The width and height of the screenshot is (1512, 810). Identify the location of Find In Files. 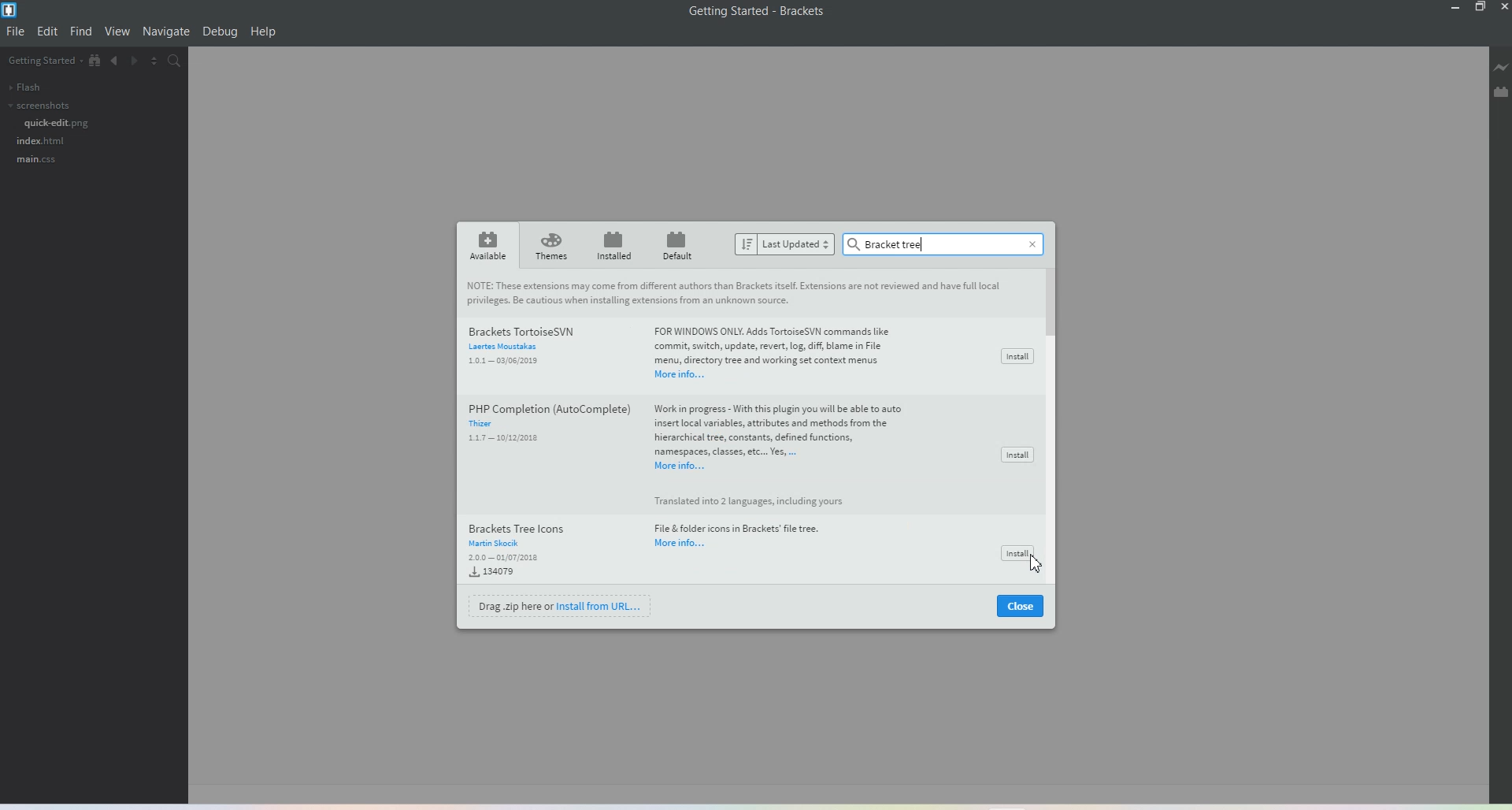
(183, 63).